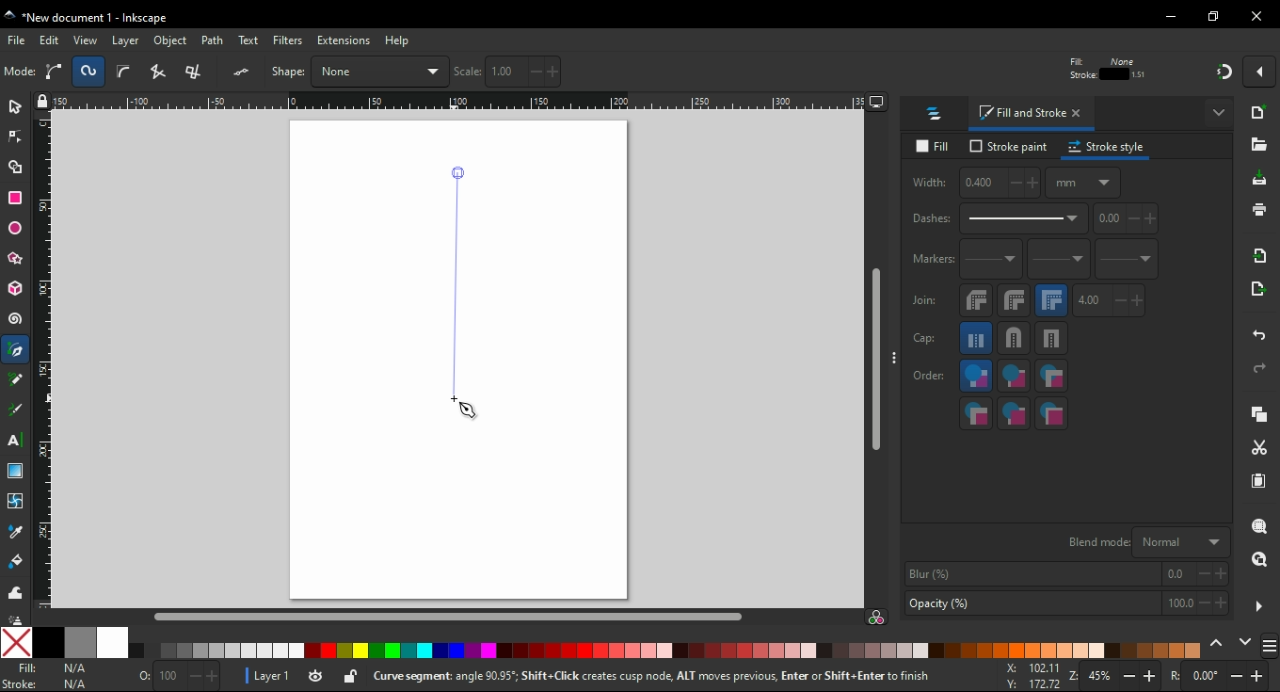 The image size is (1280, 692). Describe the element at coordinates (359, 71) in the screenshot. I see `raise` at that location.